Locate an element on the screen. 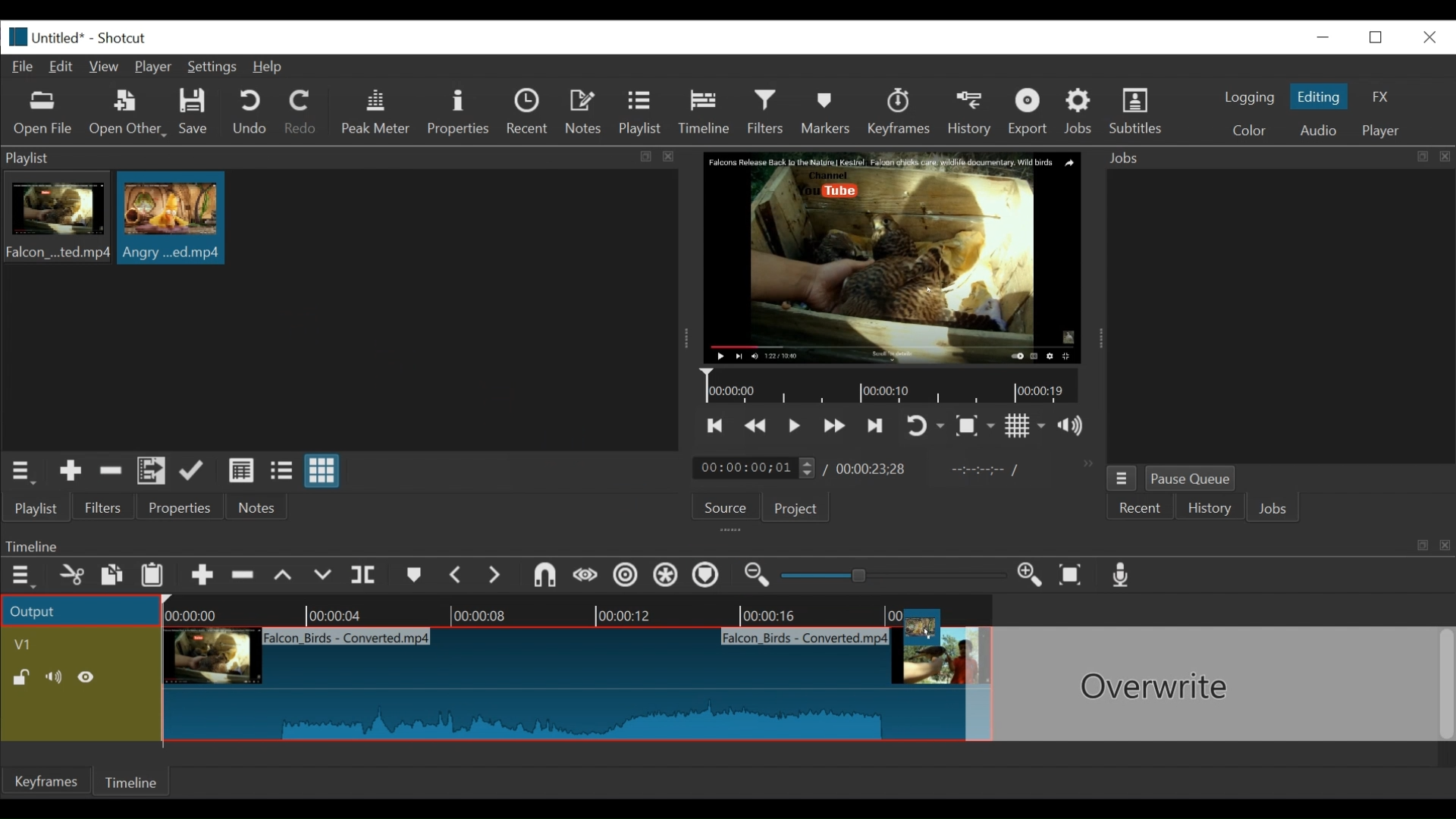 This screenshot has width=1456, height=819. media viewer is located at coordinates (890, 257).